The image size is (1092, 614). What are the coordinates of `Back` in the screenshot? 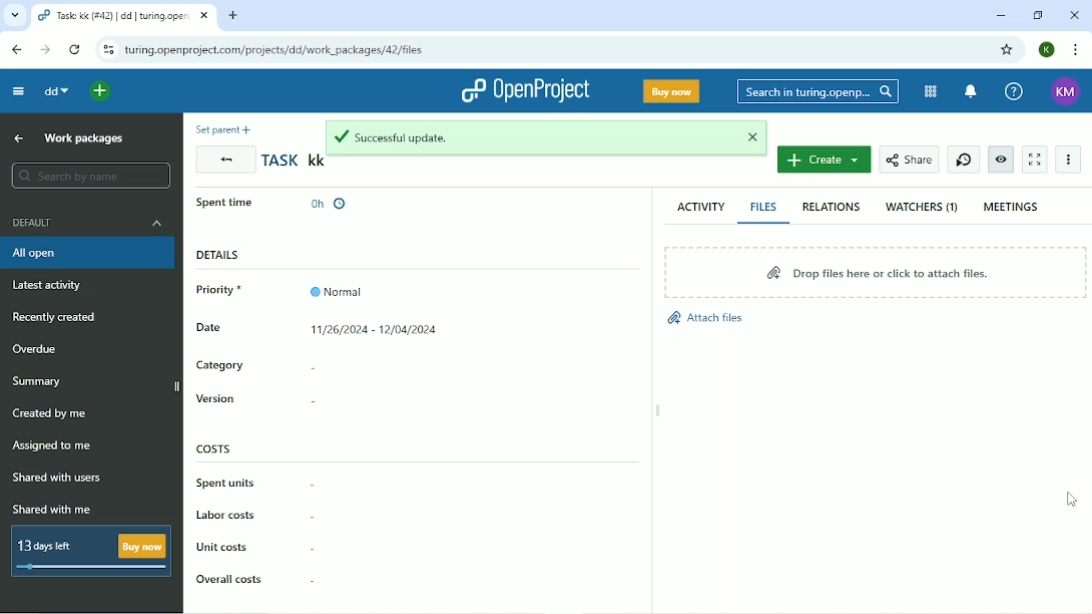 It's located at (225, 159).